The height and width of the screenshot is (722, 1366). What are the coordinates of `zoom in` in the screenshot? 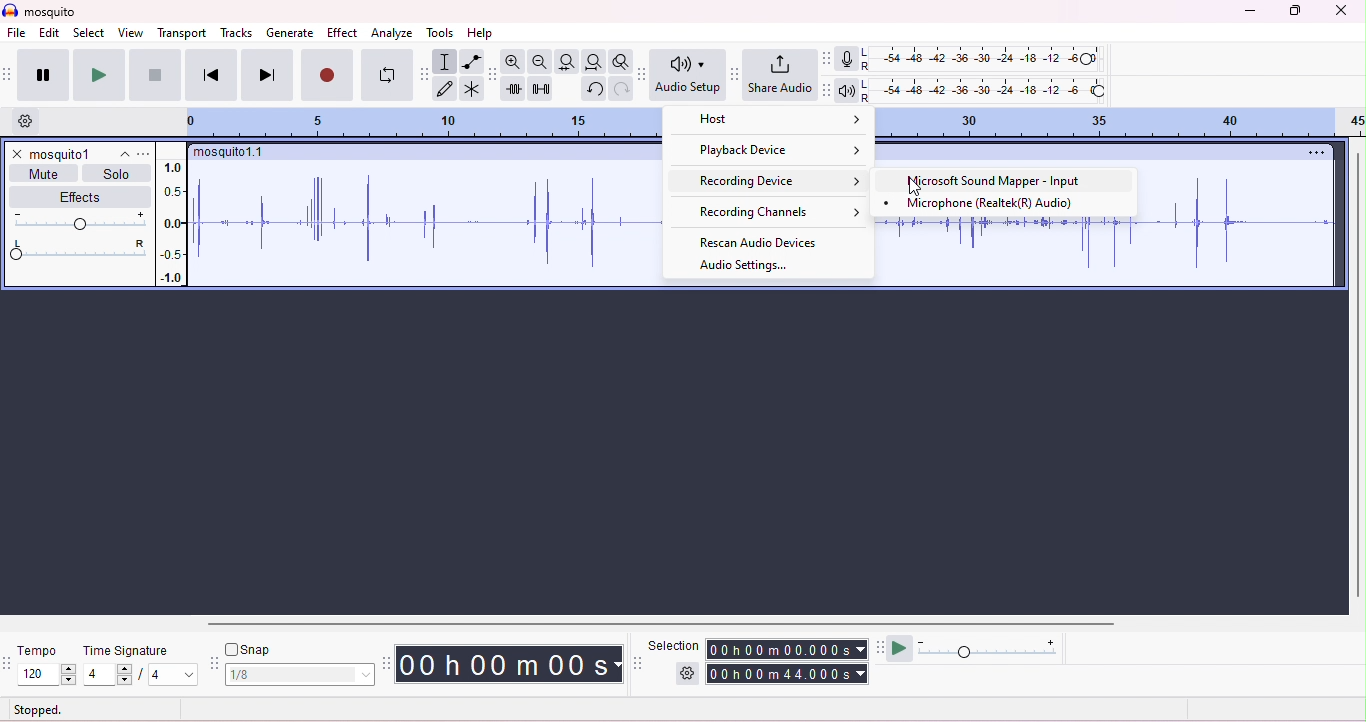 It's located at (513, 61).